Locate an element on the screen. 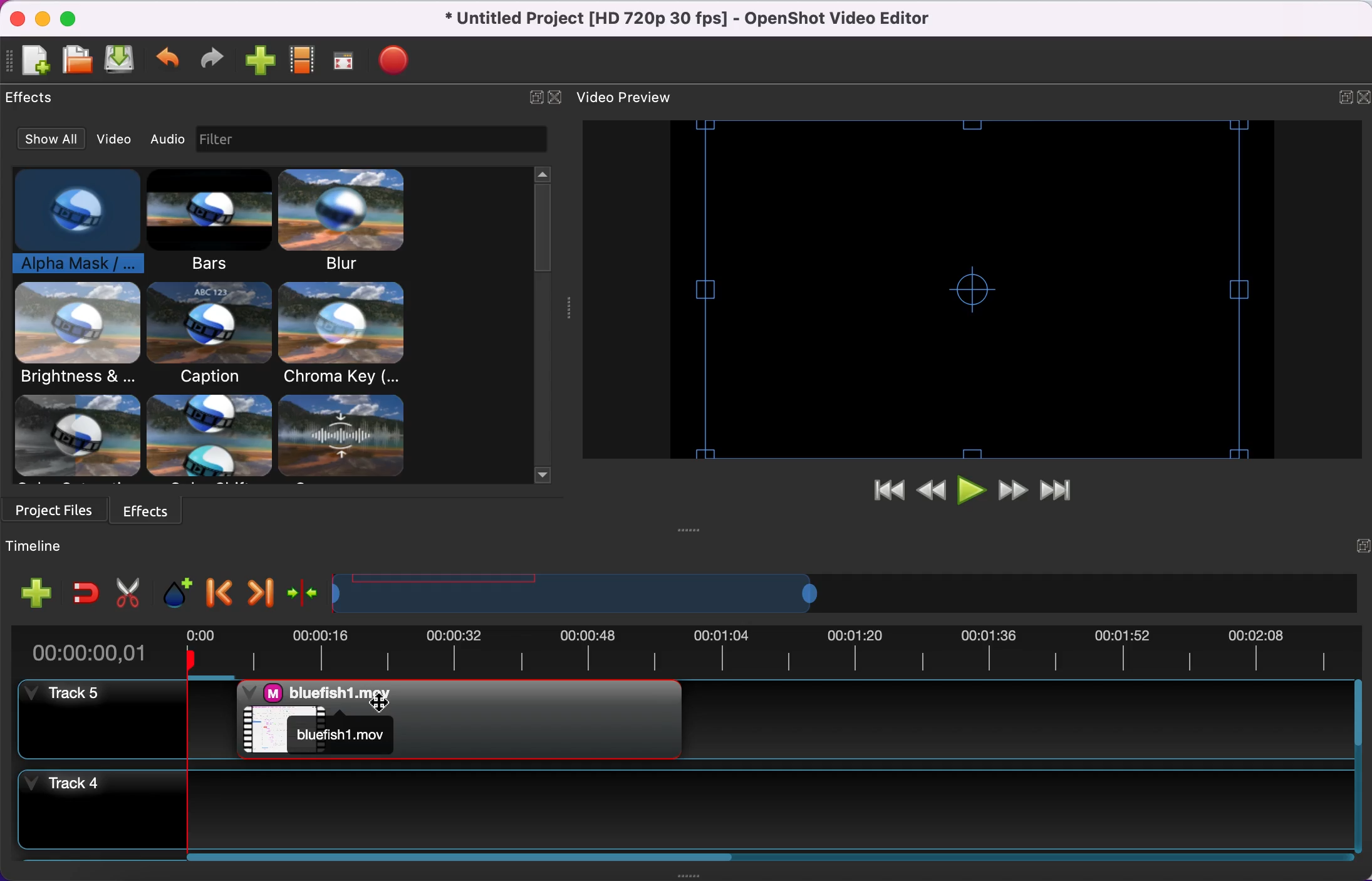  effects is located at coordinates (33, 100).